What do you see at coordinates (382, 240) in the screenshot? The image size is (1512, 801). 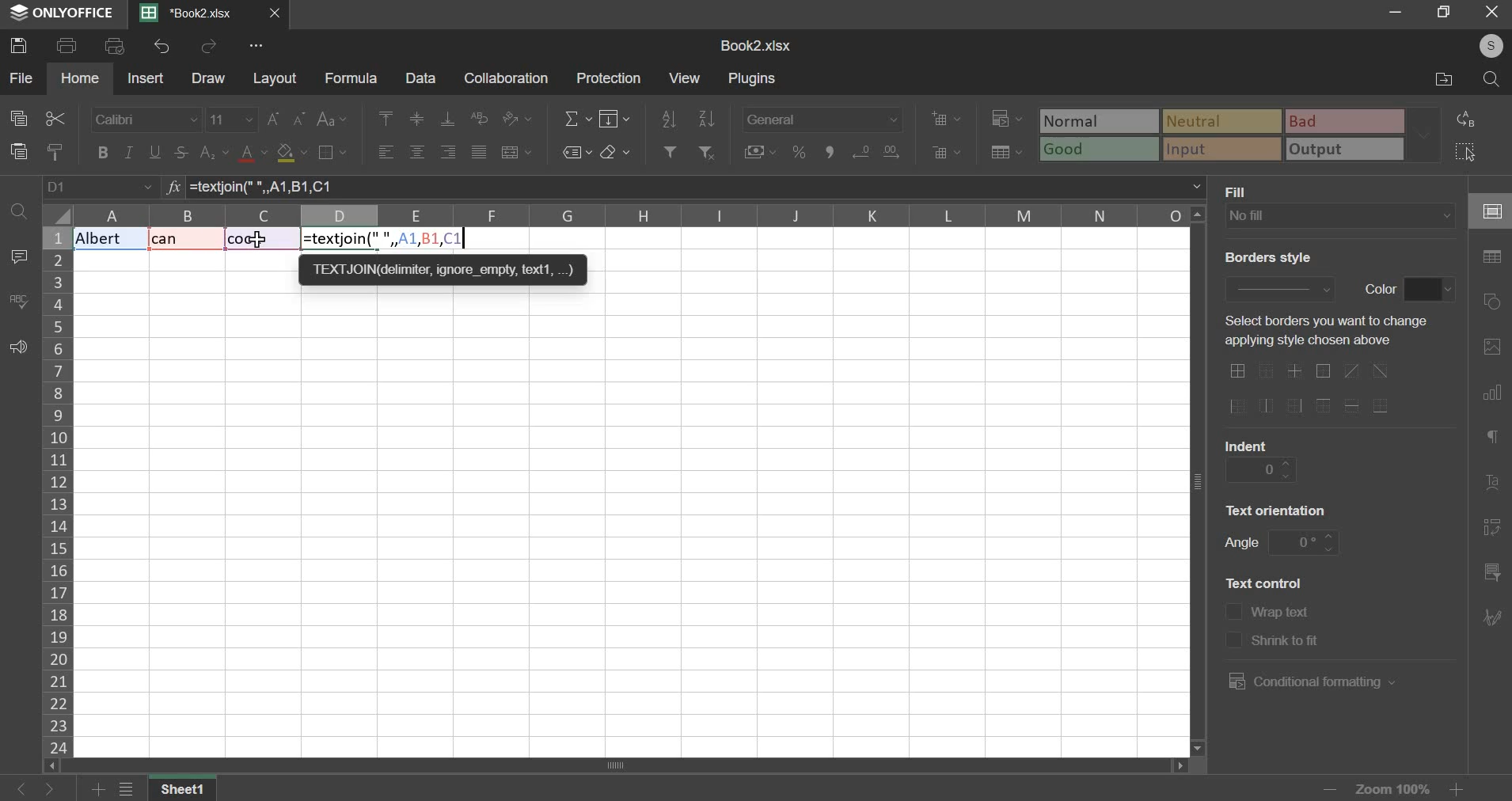 I see `formula` at bounding box center [382, 240].